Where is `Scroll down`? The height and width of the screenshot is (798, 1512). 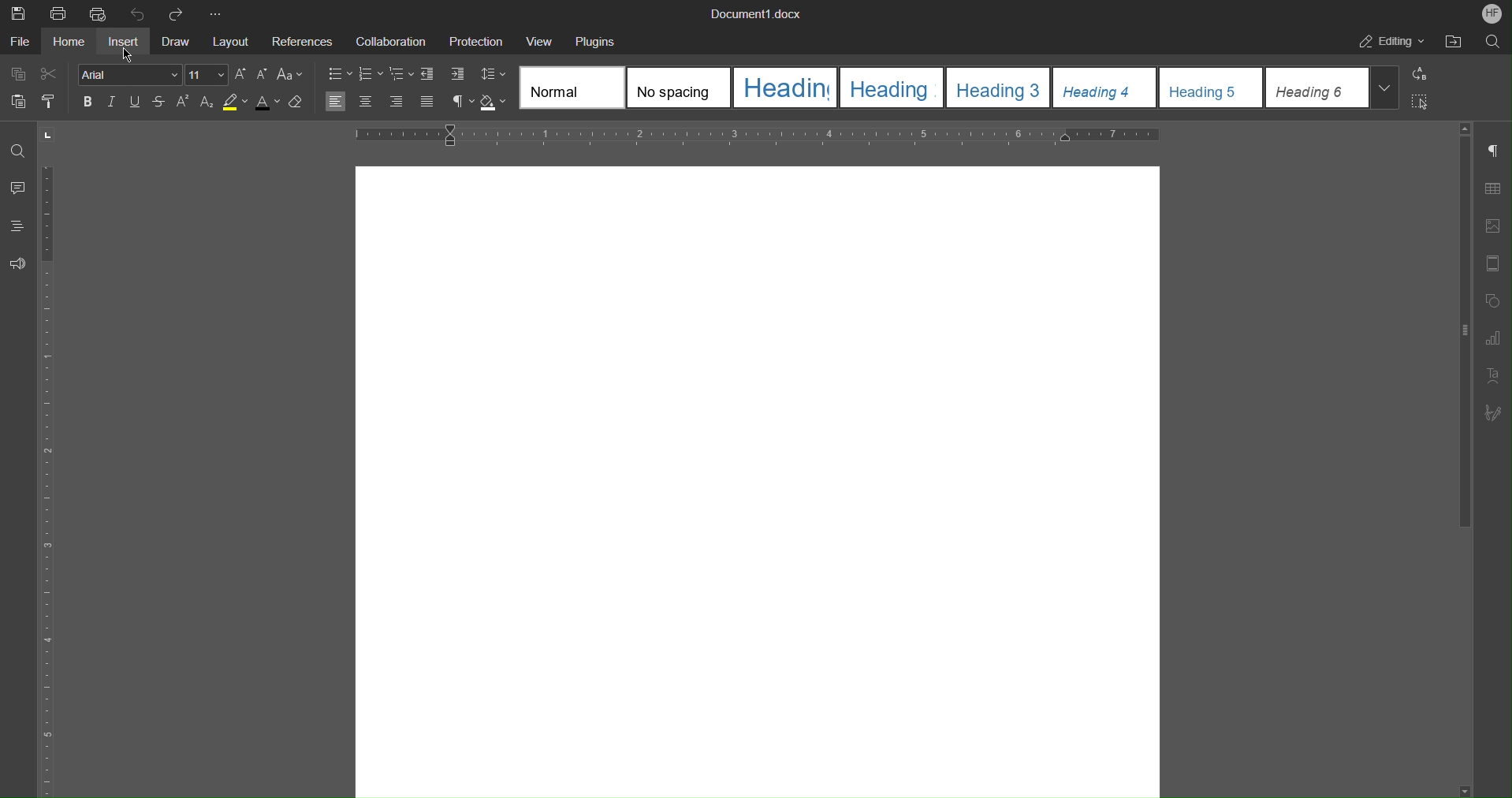
Scroll down is located at coordinates (1465, 789).